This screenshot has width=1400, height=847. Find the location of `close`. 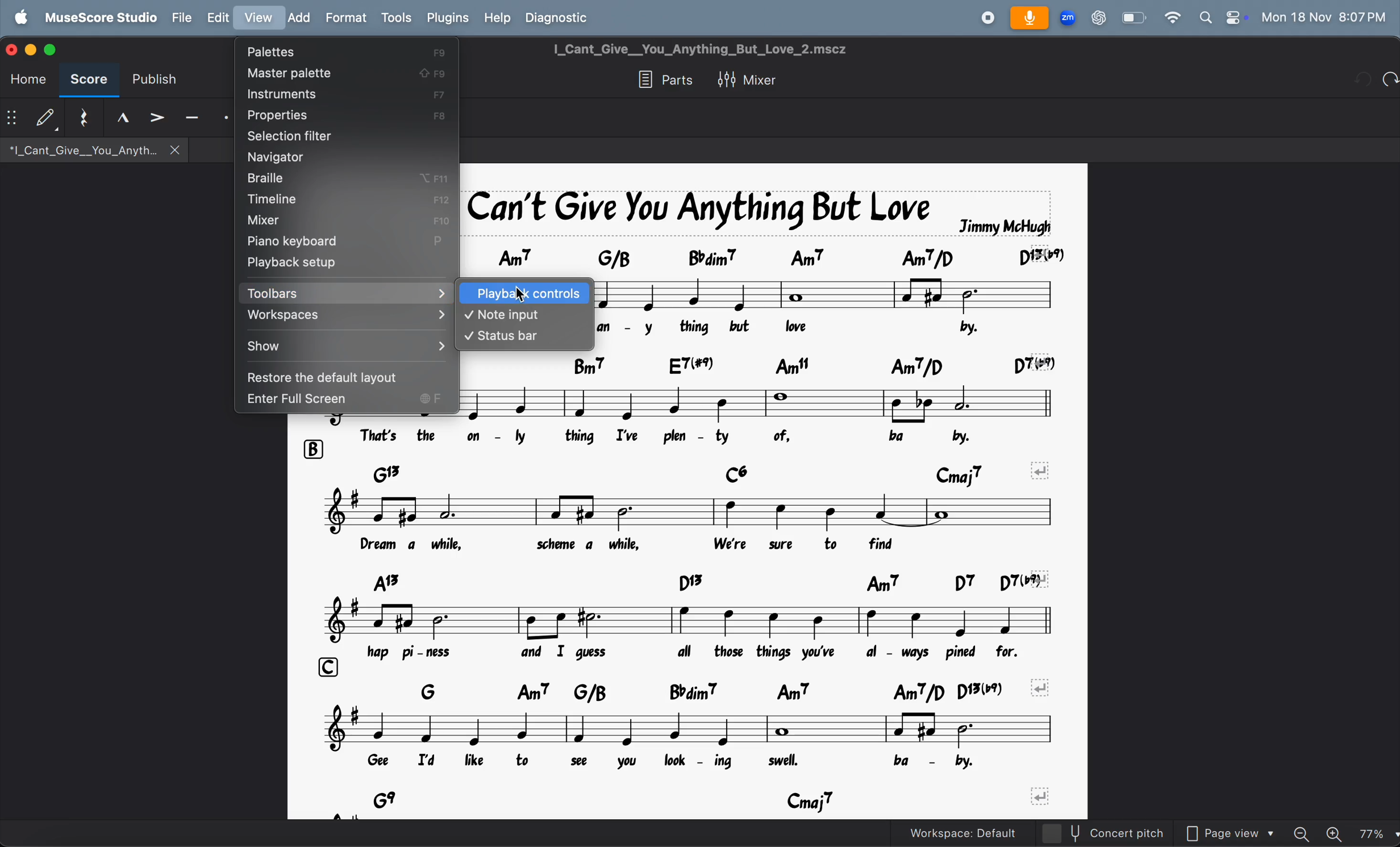

close is located at coordinates (13, 49).